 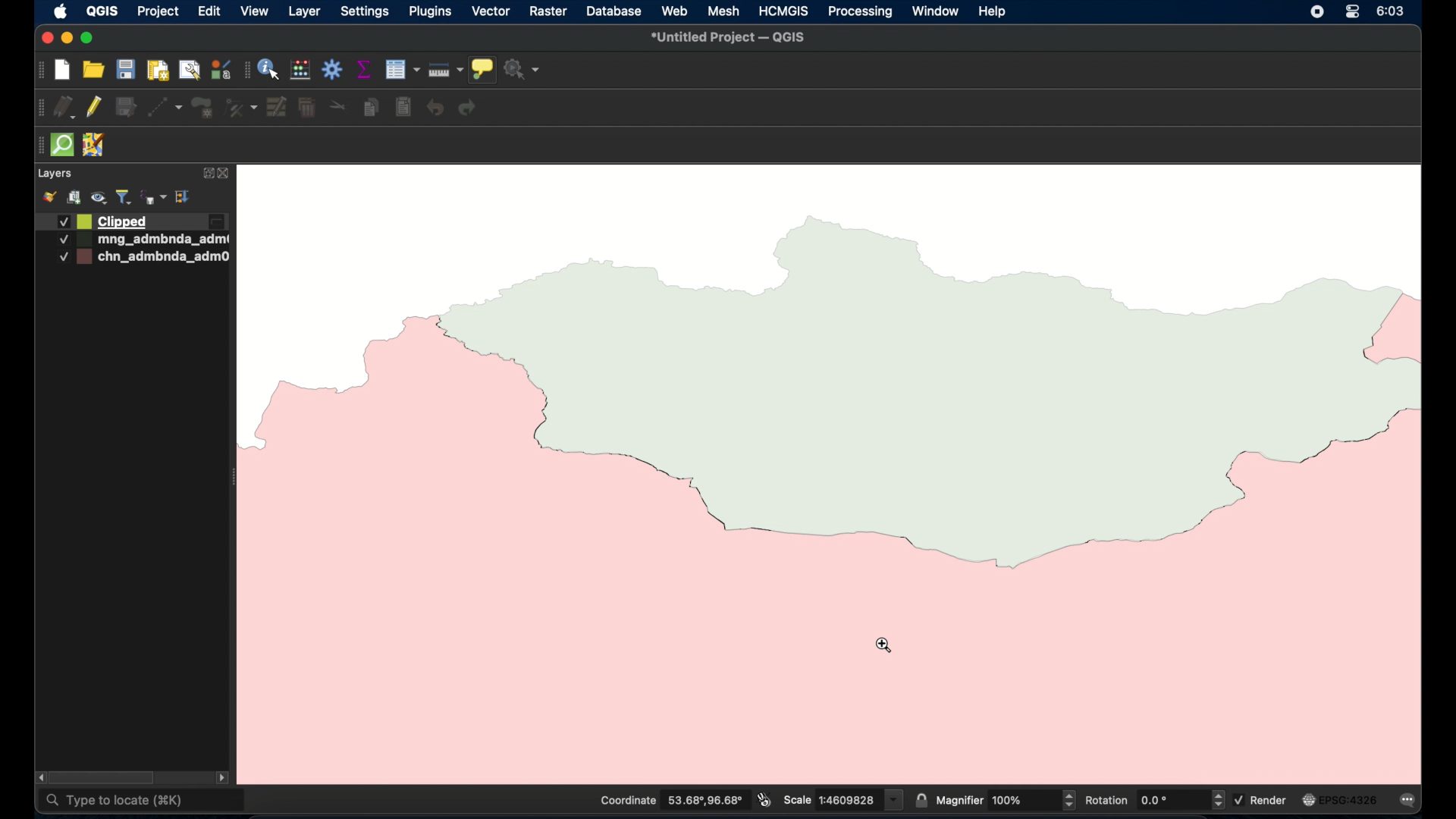 I want to click on plugins, so click(x=429, y=11).